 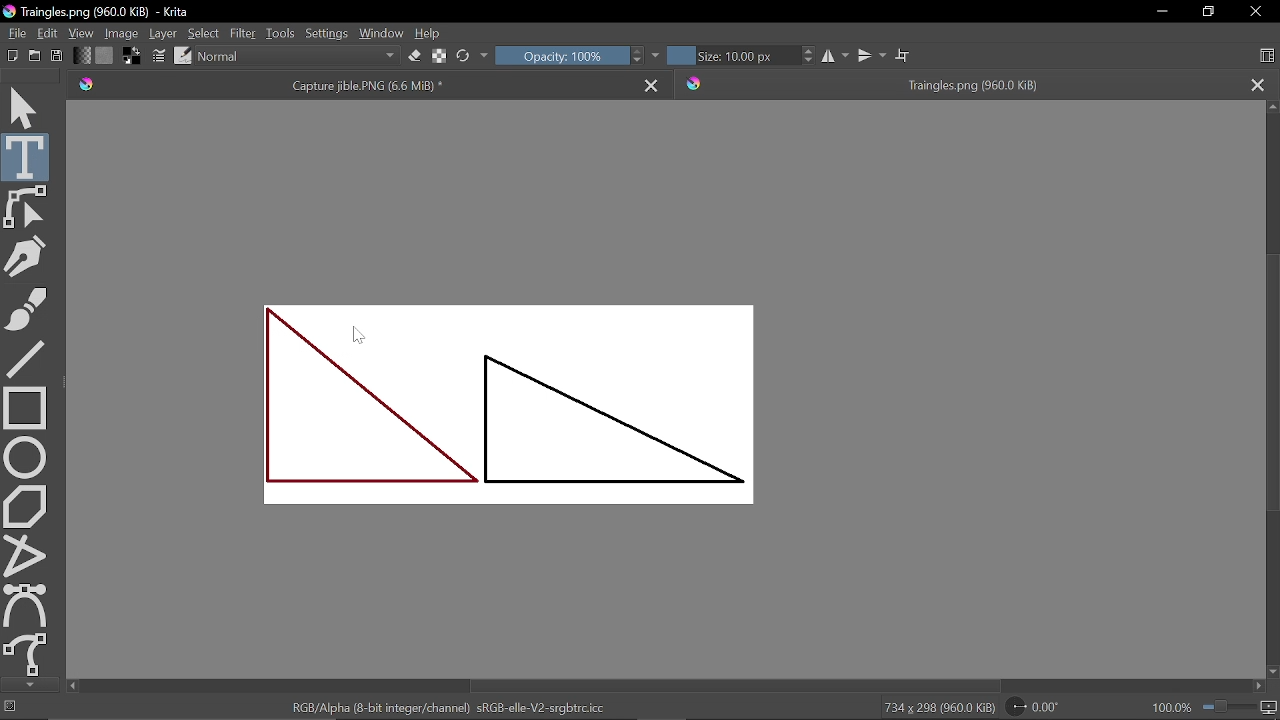 I want to click on Gradient fill, so click(x=80, y=57).